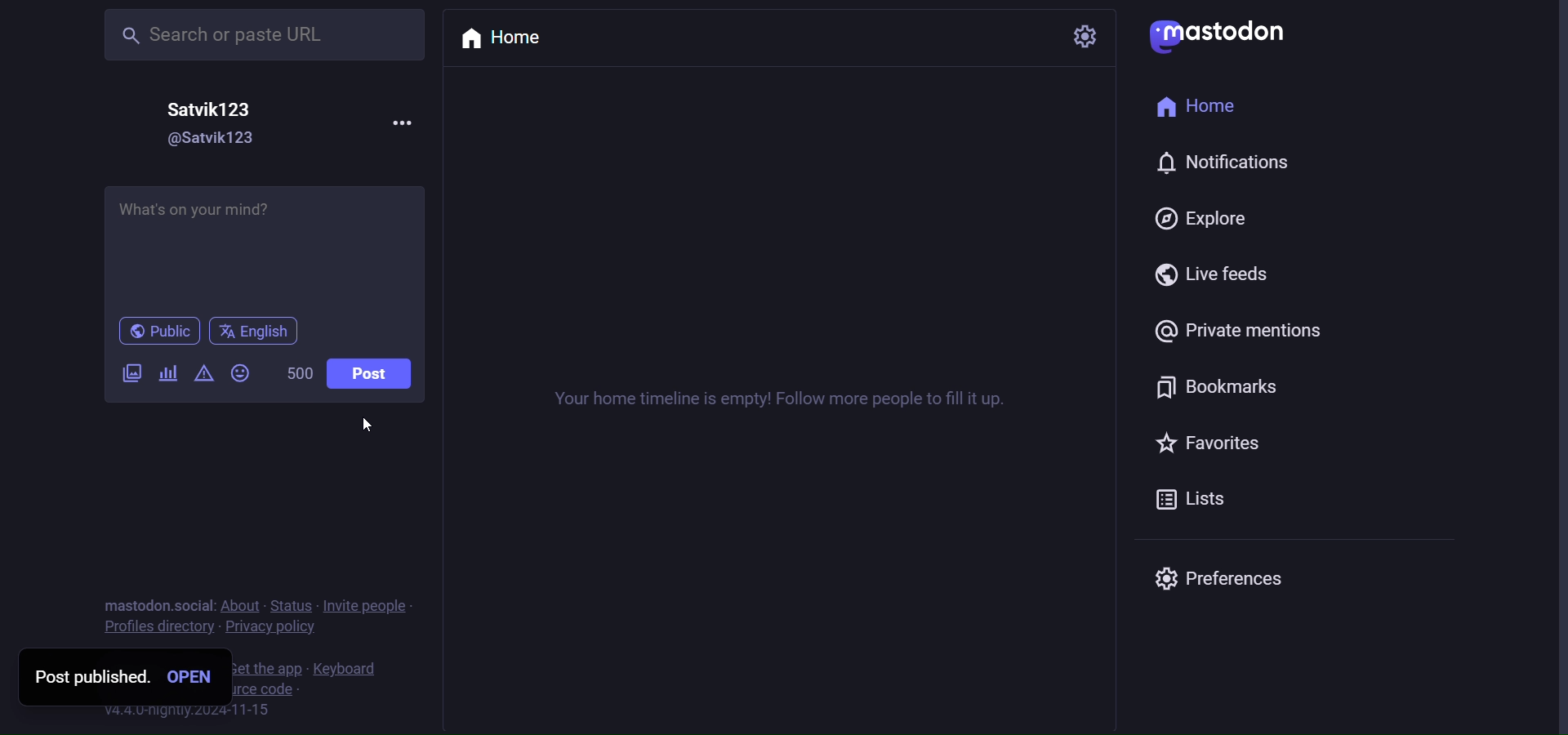 The height and width of the screenshot is (735, 1568). I want to click on preferences, so click(1218, 576).